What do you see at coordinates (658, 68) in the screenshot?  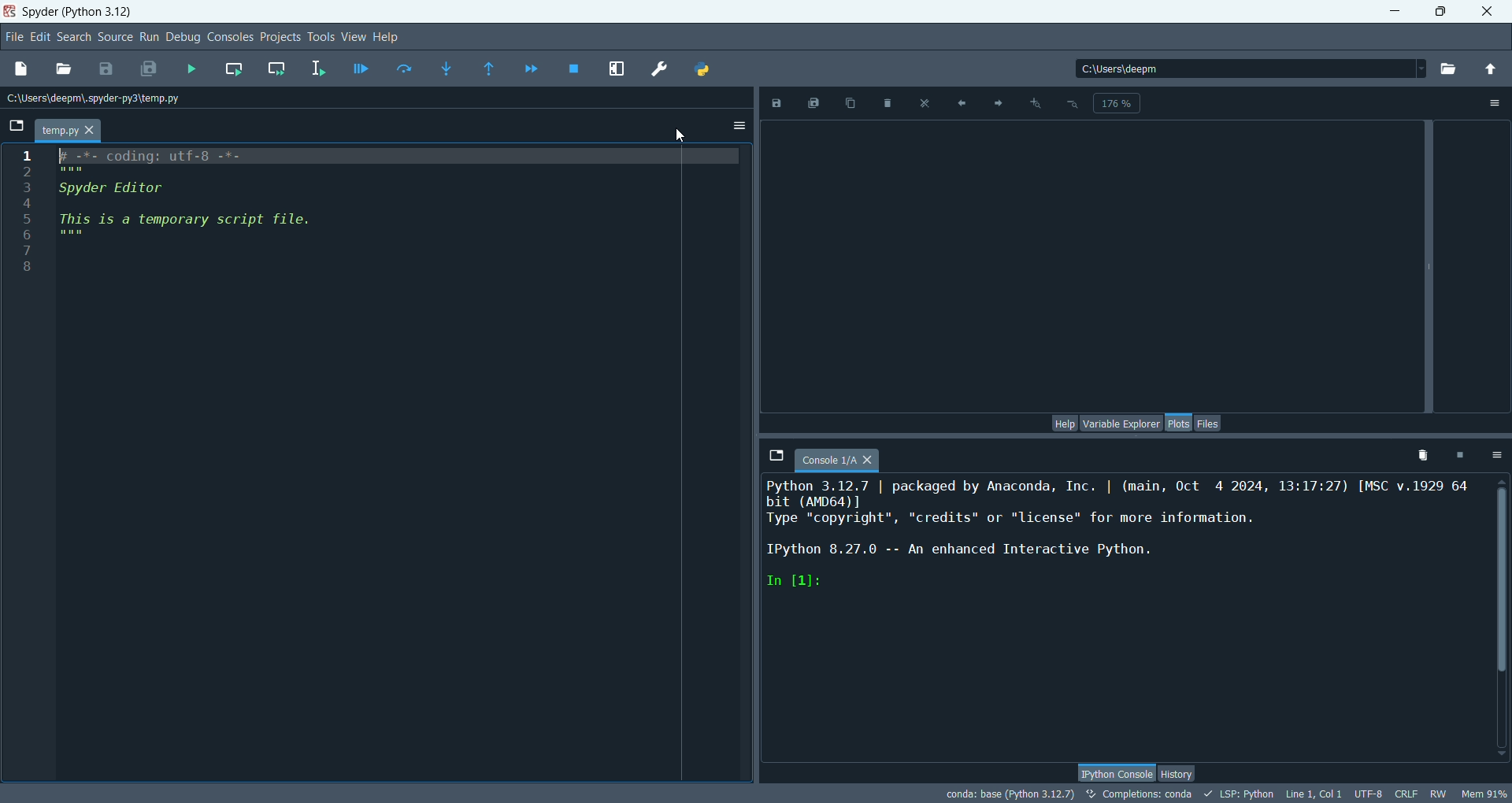 I see `preferences` at bounding box center [658, 68].